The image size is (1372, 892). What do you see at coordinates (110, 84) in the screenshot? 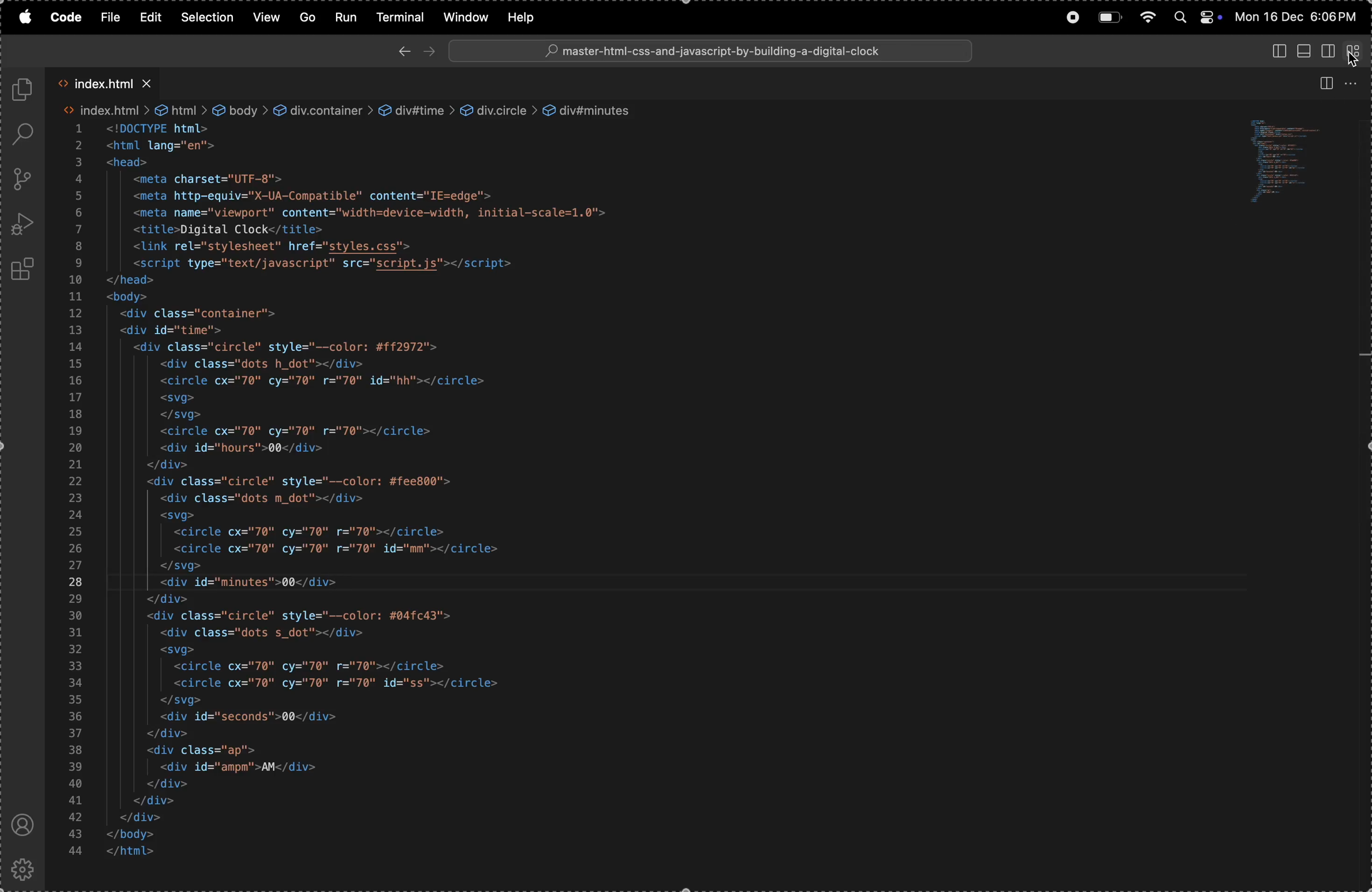
I see `index.html tab` at bounding box center [110, 84].